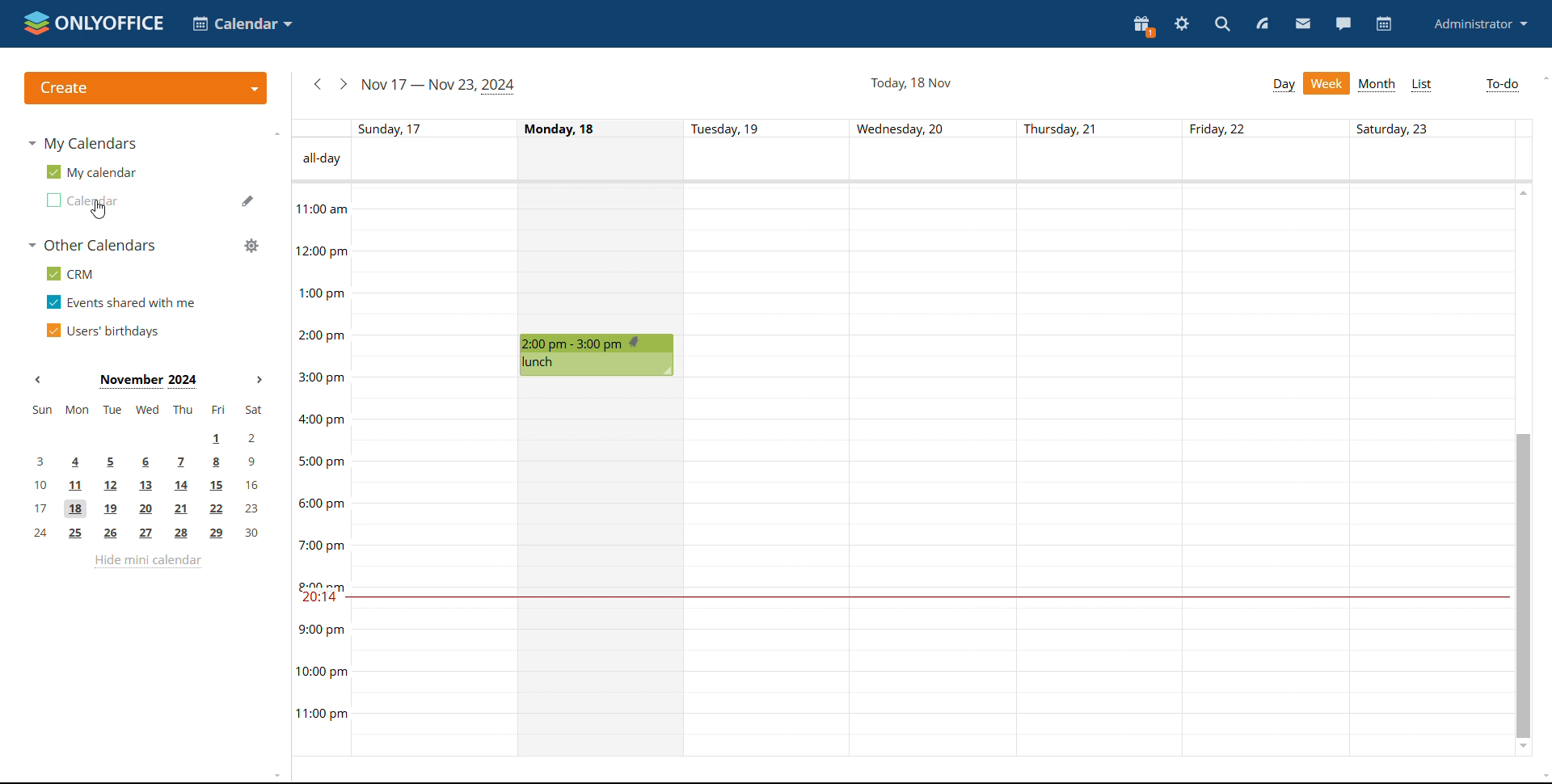 Image resolution: width=1552 pixels, height=784 pixels. I want to click on mini calendar, underlined dates are events, so click(148, 474).